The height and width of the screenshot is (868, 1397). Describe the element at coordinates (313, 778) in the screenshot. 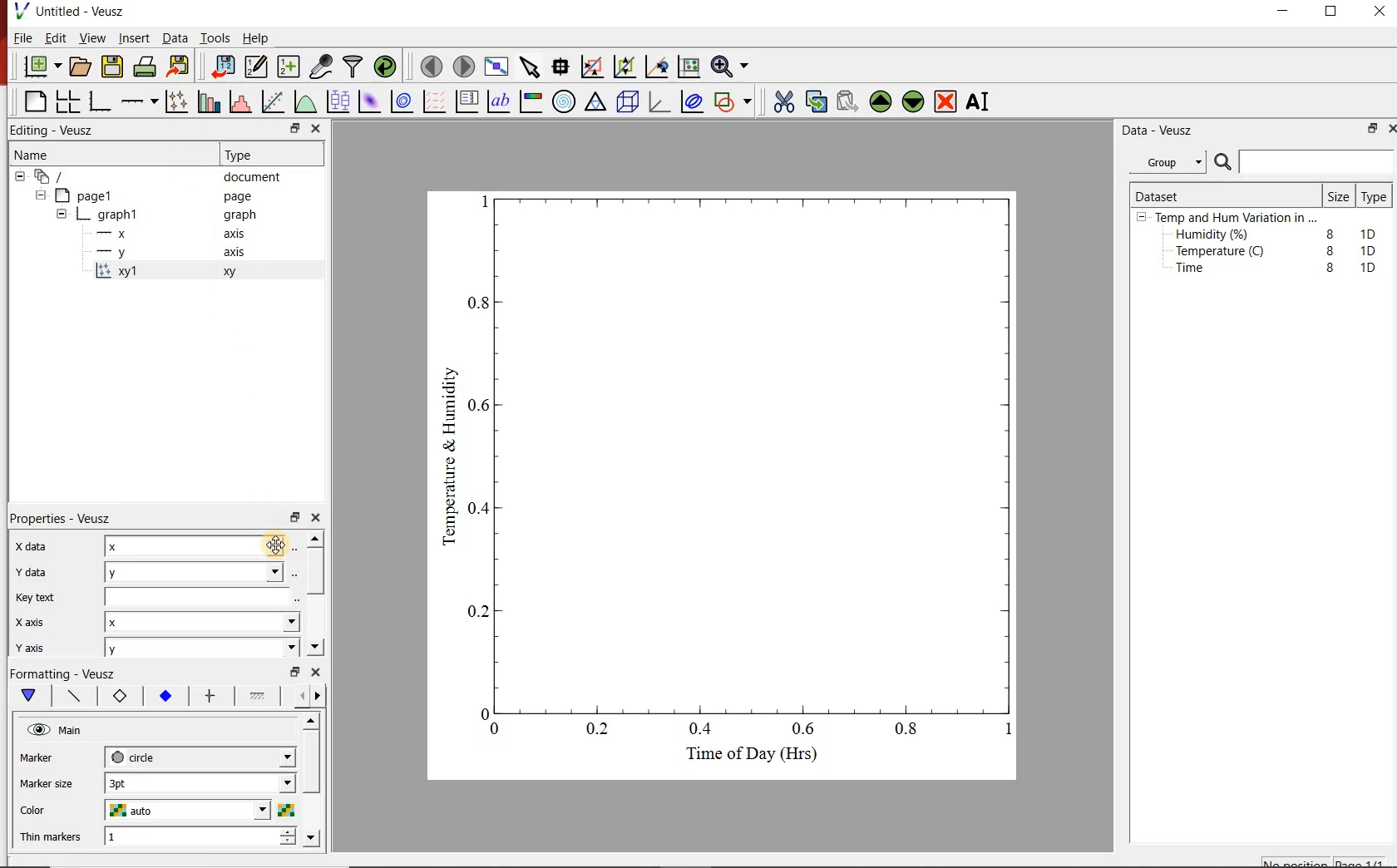

I see `scroll bar` at that location.